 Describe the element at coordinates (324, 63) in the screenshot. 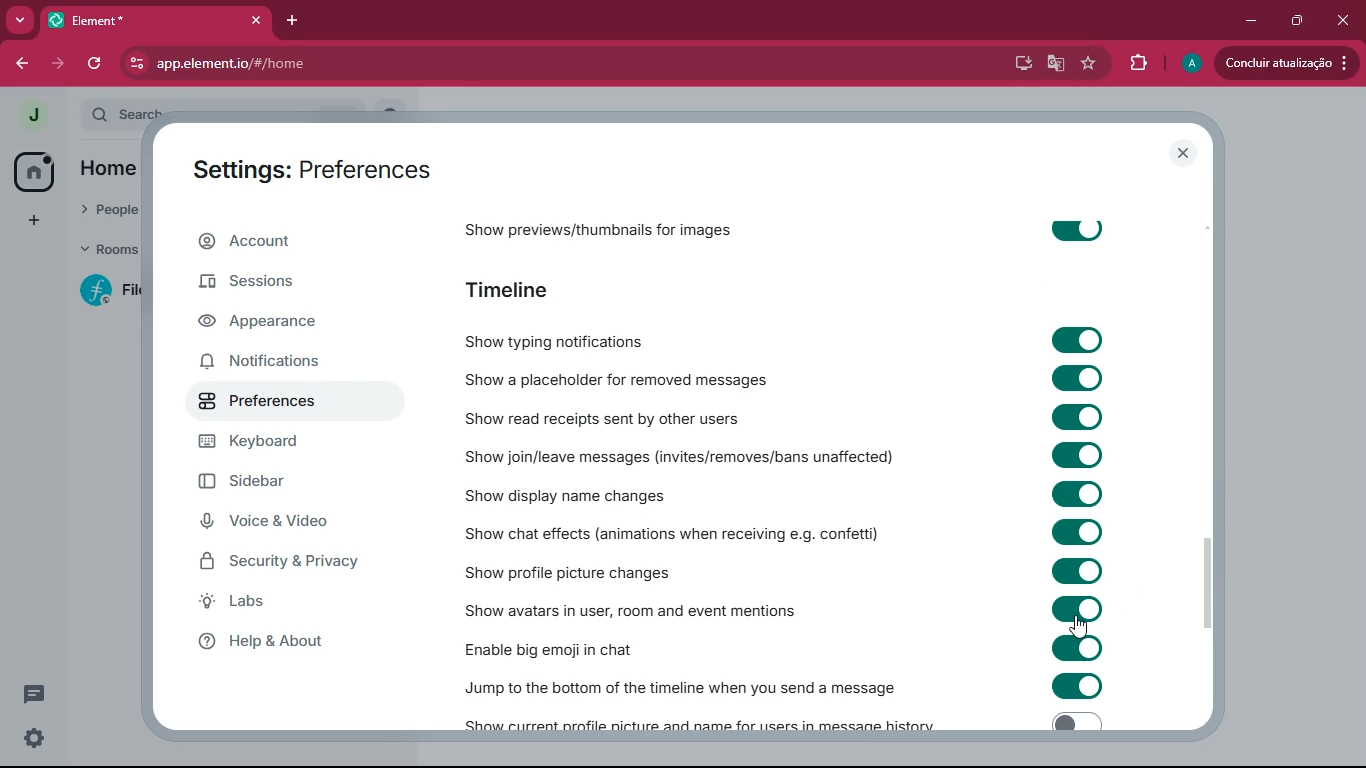

I see `app.element.io/#/home` at that location.